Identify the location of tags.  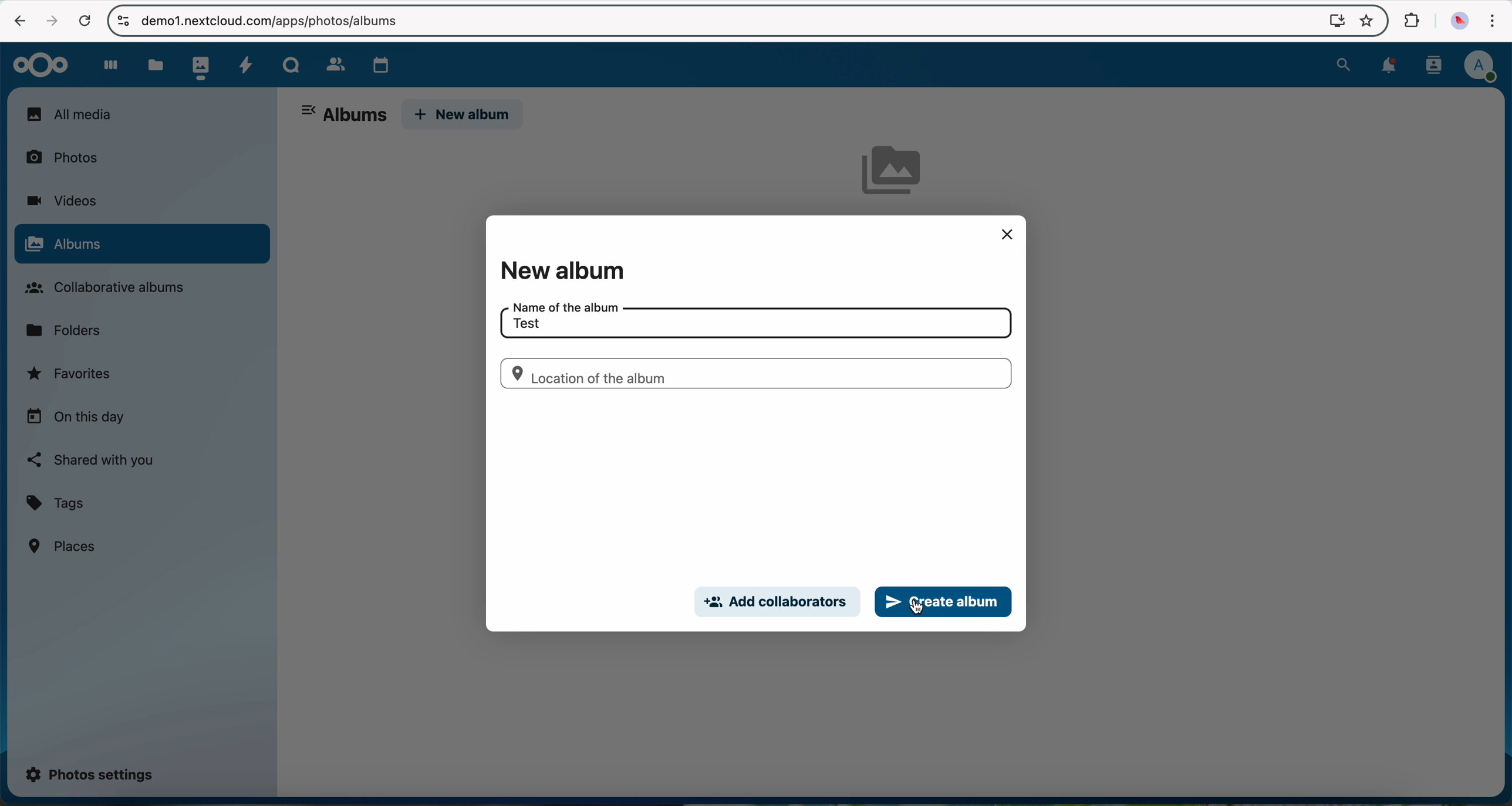
(56, 504).